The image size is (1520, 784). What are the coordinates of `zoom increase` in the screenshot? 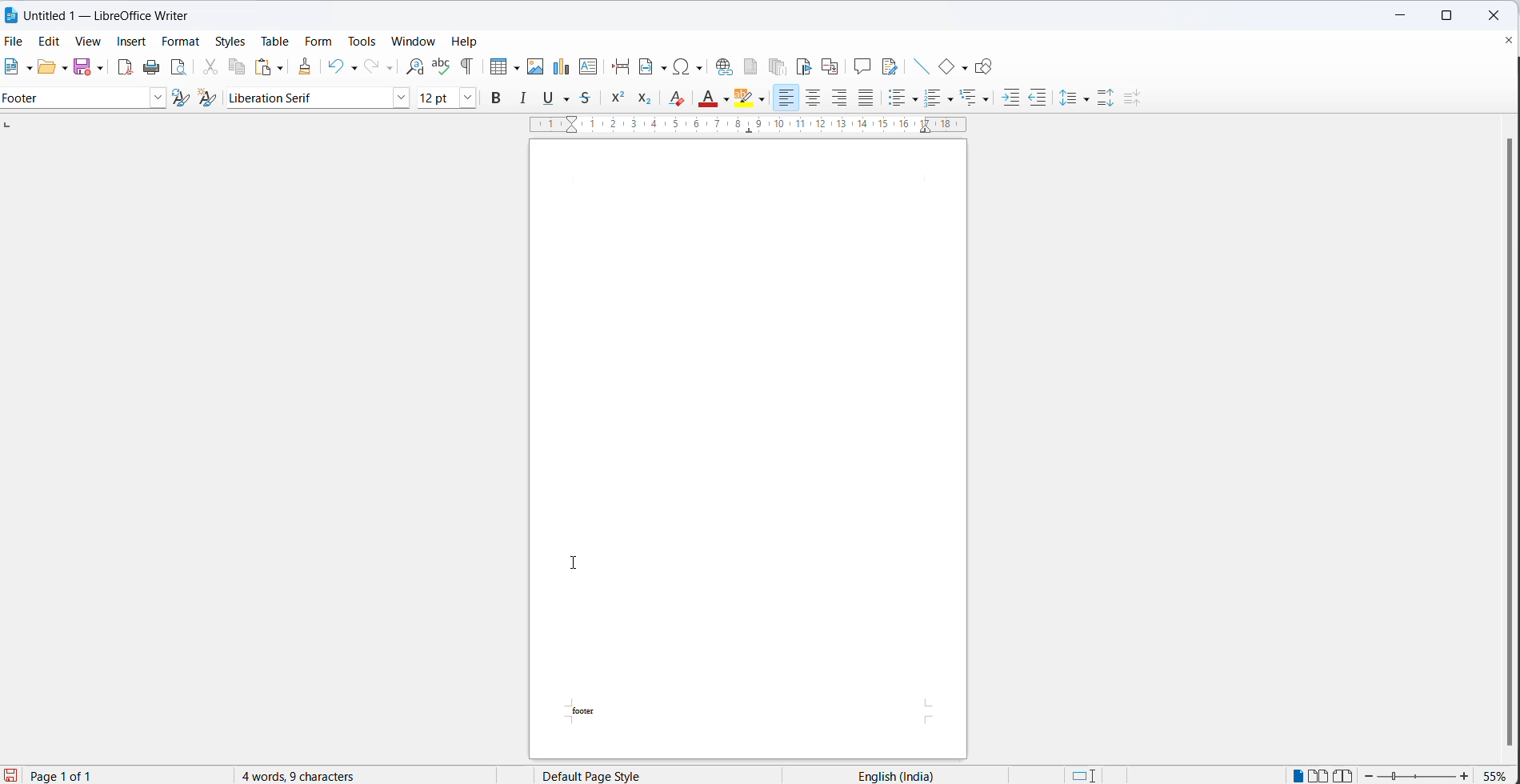 It's located at (1467, 775).